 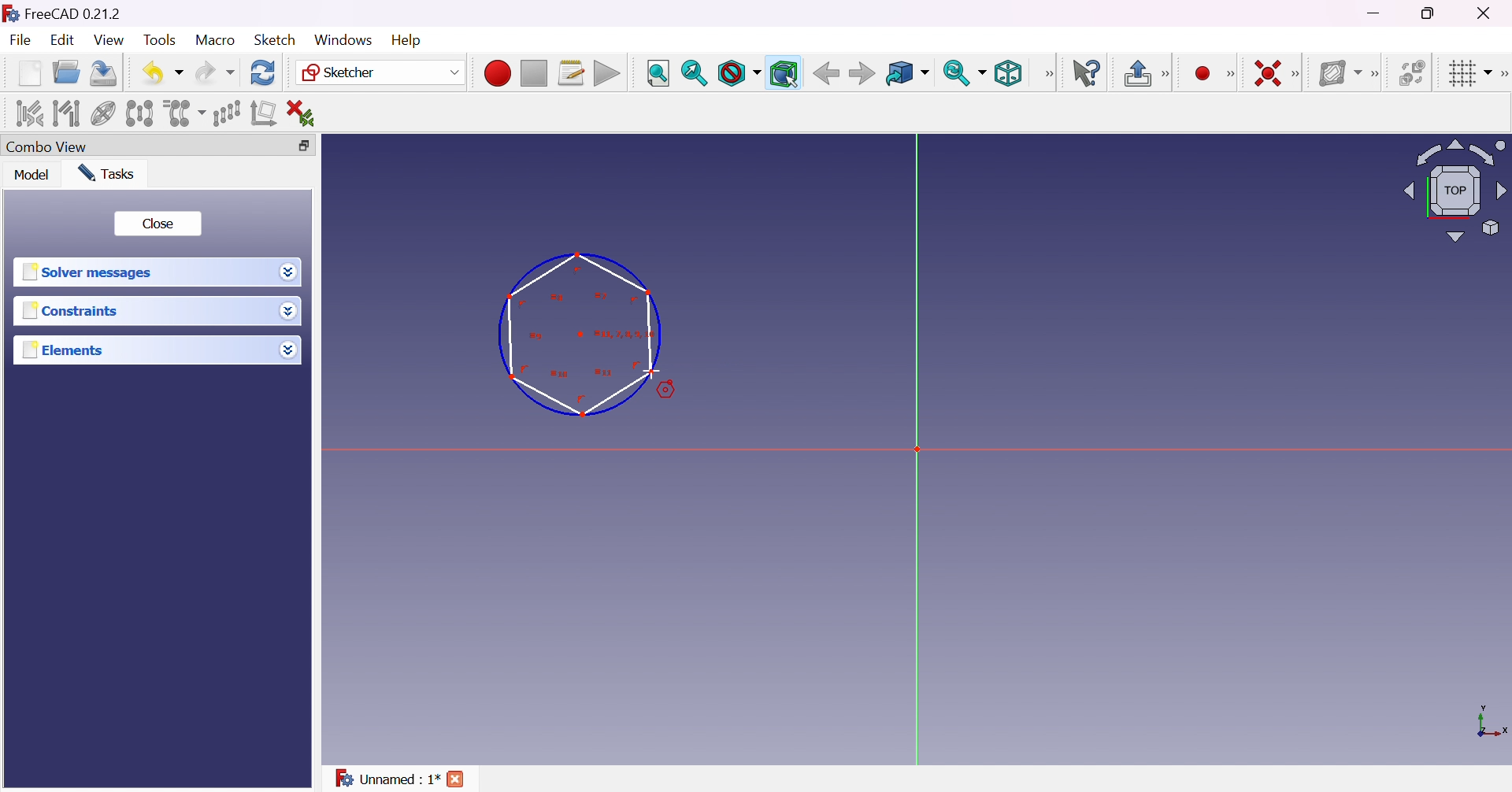 What do you see at coordinates (162, 74) in the screenshot?
I see `Undo` at bounding box center [162, 74].